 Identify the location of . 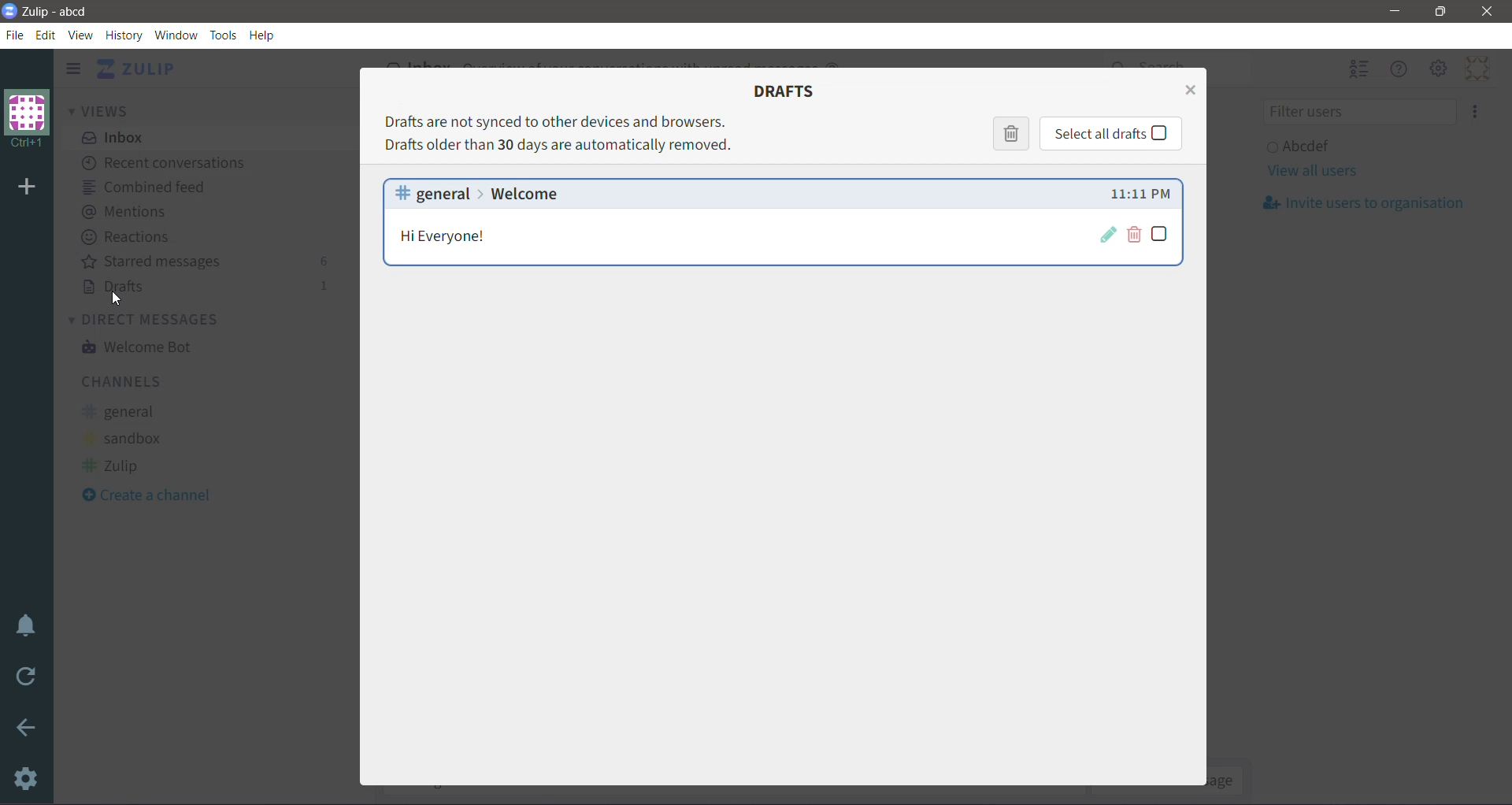
(1192, 91).